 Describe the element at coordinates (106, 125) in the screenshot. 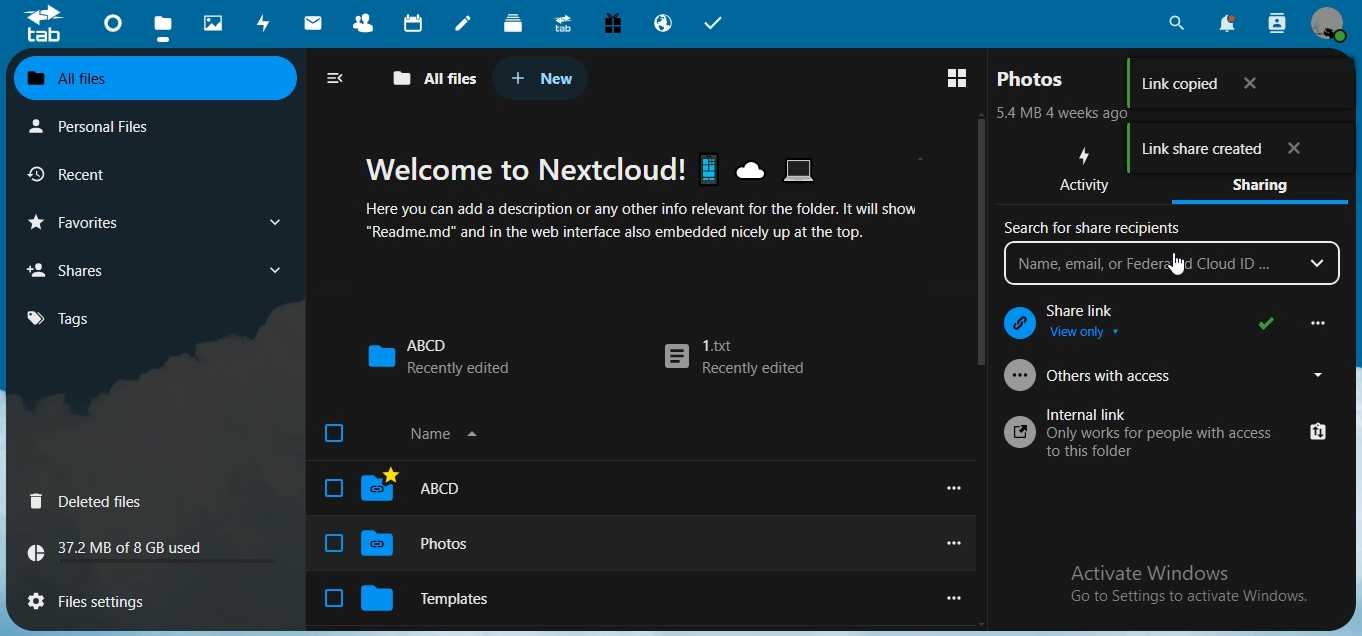

I see `personal files` at that location.